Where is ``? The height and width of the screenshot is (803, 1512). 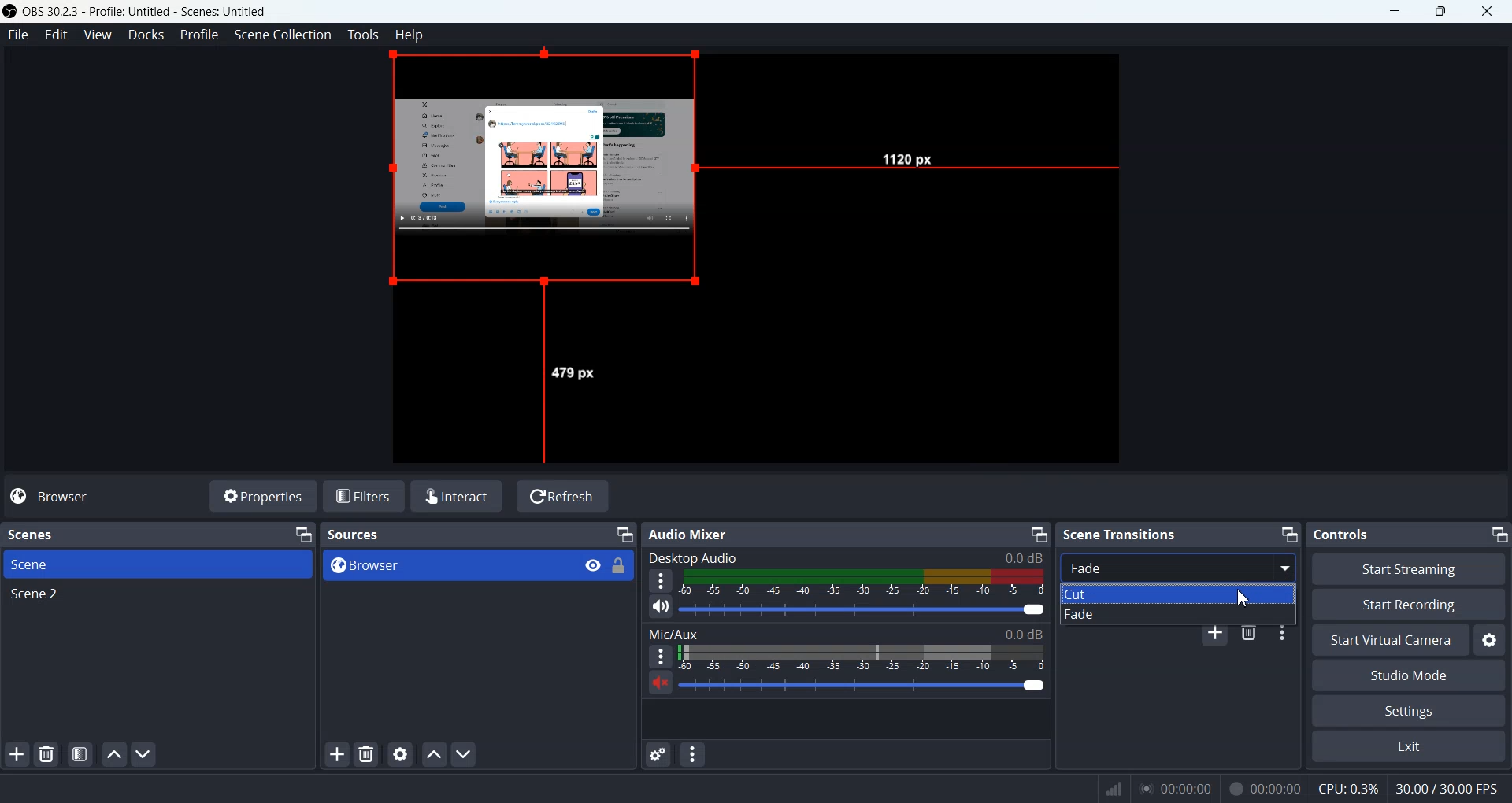
 is located at coordinates (1267, 787).